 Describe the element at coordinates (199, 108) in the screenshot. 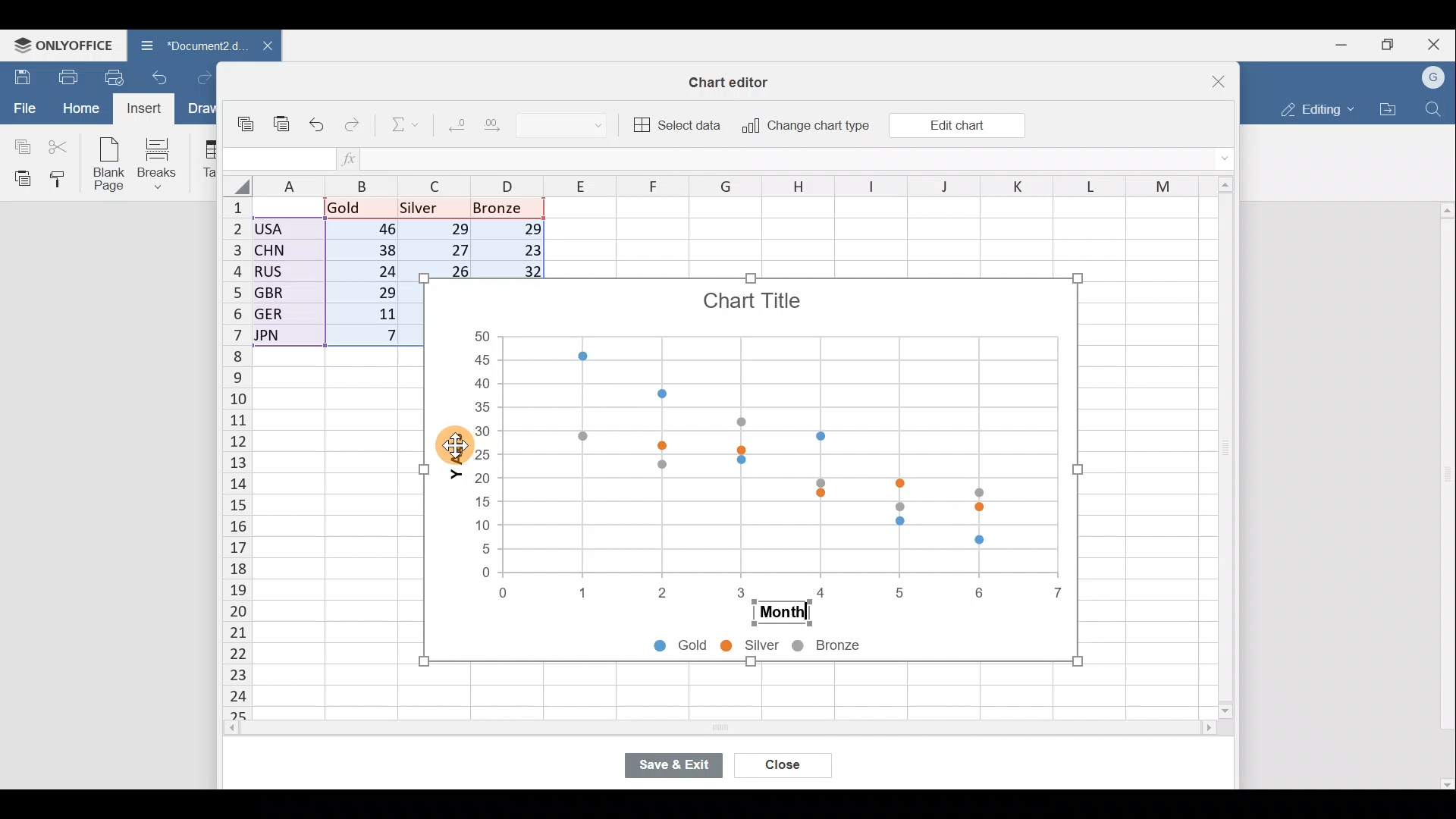

I see `Draw` at that location.